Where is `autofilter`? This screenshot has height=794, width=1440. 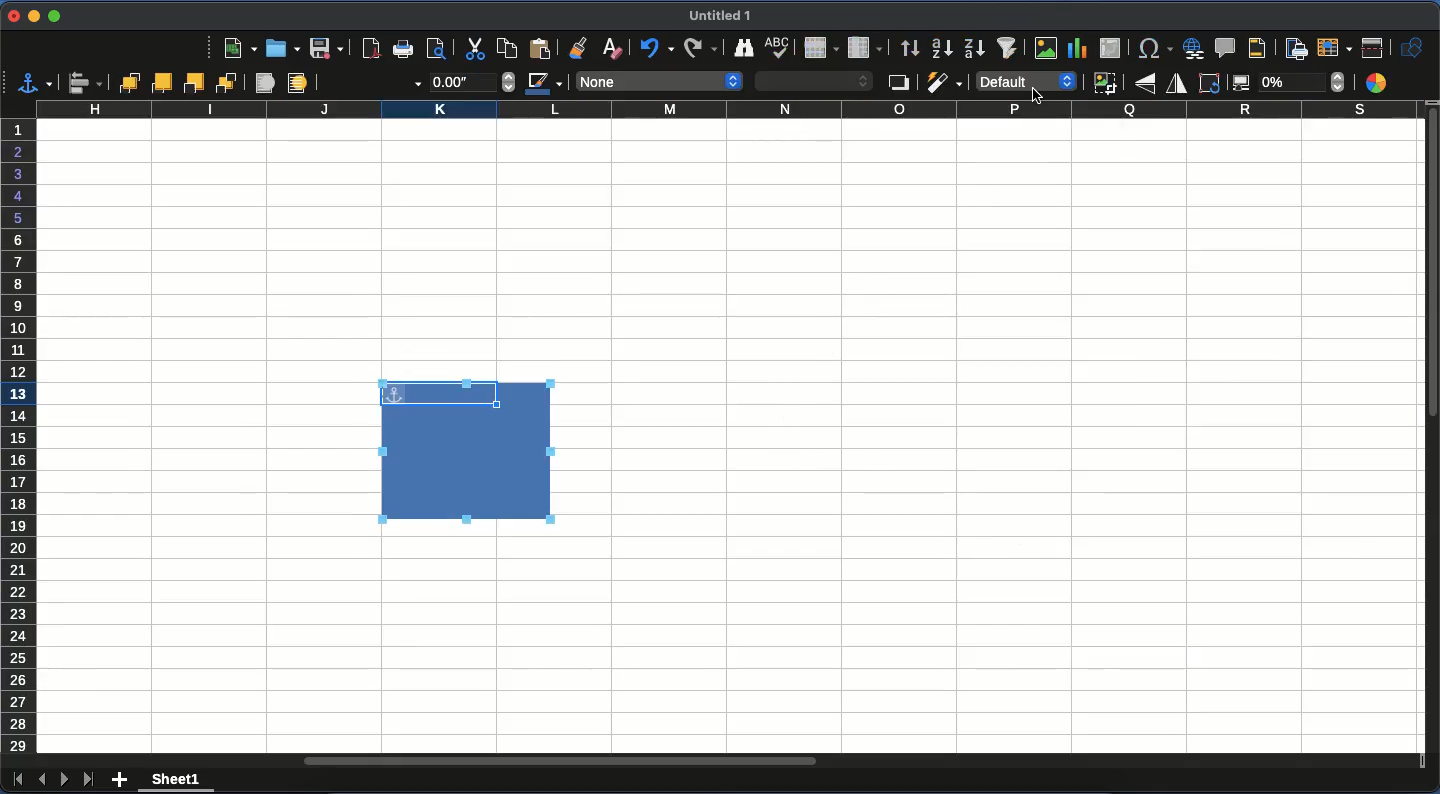
autofilter is located at coordinates (1011, 48).